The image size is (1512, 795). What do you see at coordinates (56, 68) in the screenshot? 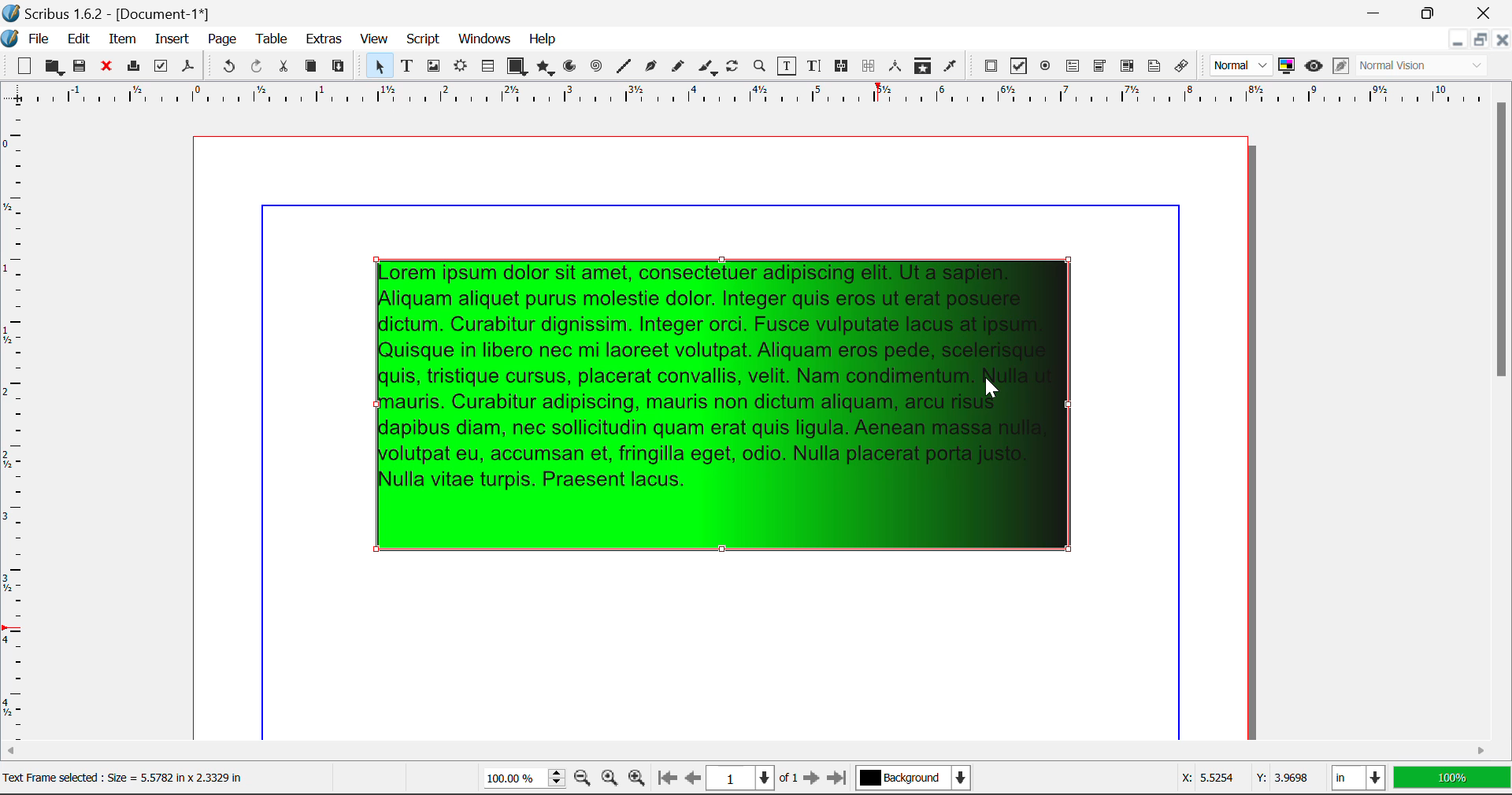
I see `Open` at bounding box center [56, 68].